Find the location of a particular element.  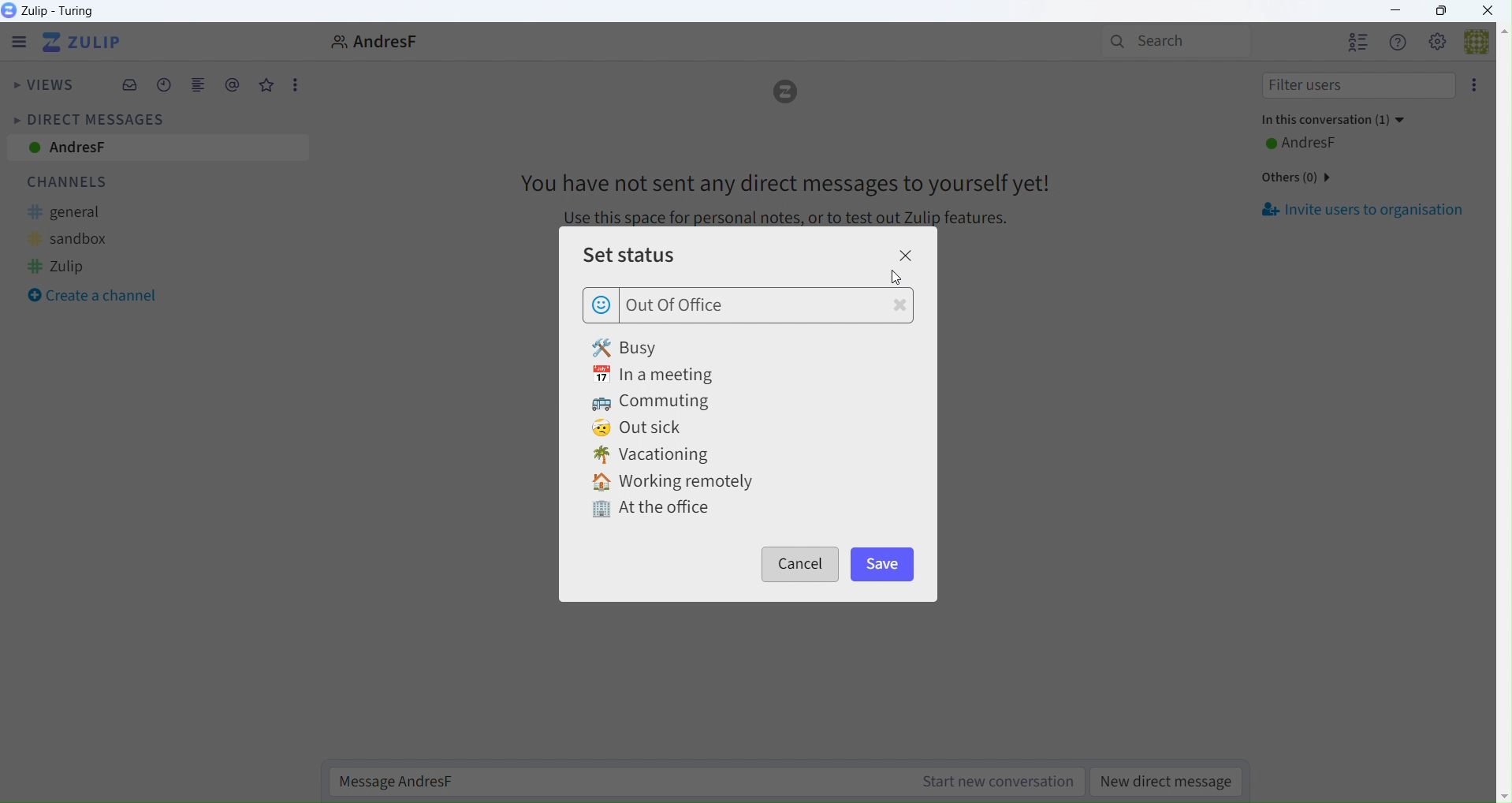

Cancel is located at coordinates (806, 562).